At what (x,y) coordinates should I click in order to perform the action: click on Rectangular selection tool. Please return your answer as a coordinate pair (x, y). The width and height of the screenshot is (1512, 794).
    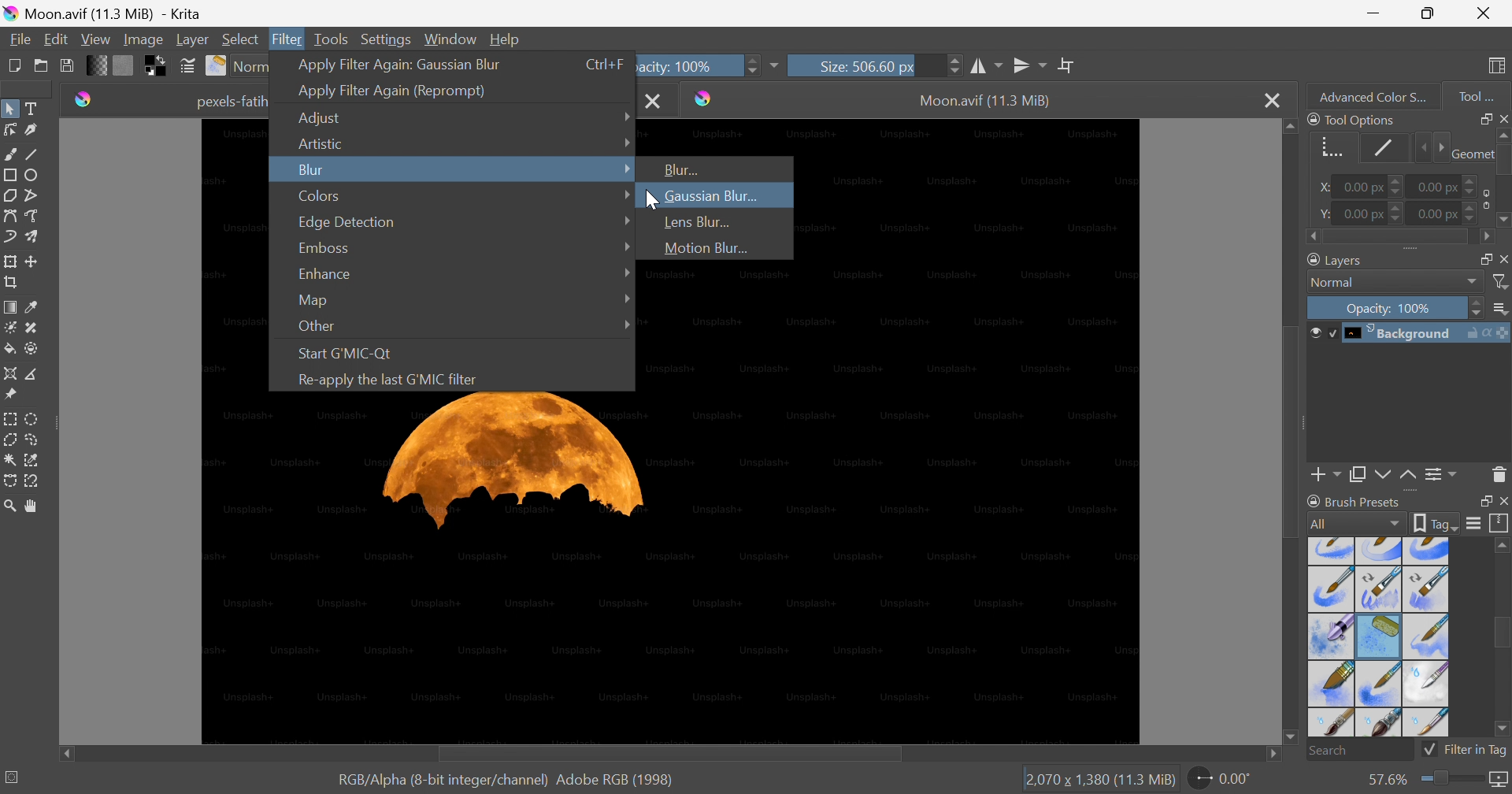
    Looking at the image, I should click on (12, 419).